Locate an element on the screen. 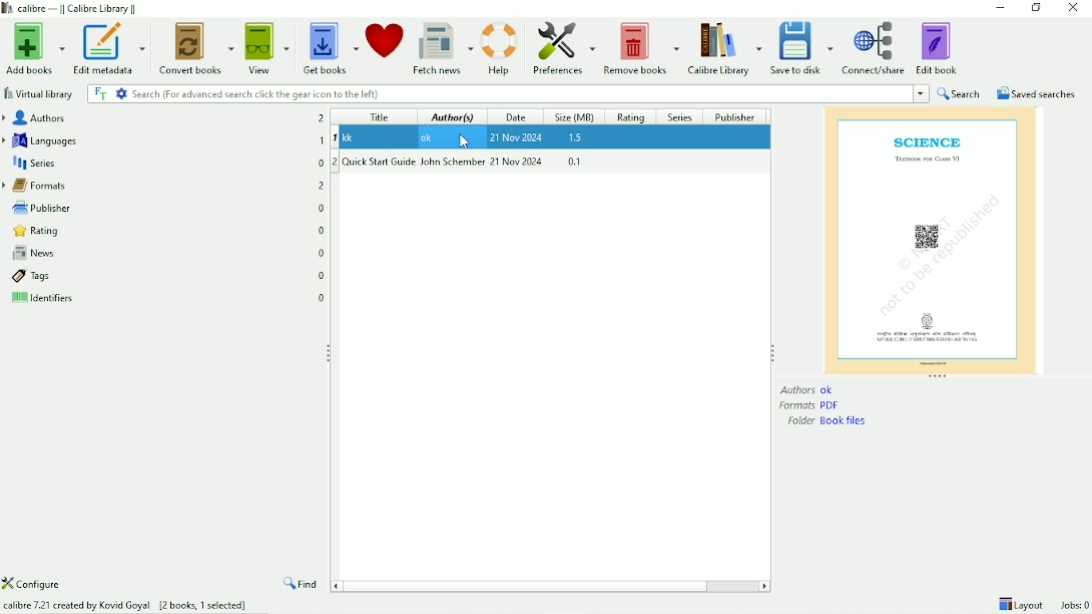  Resize is located at coordinates (774, 353).